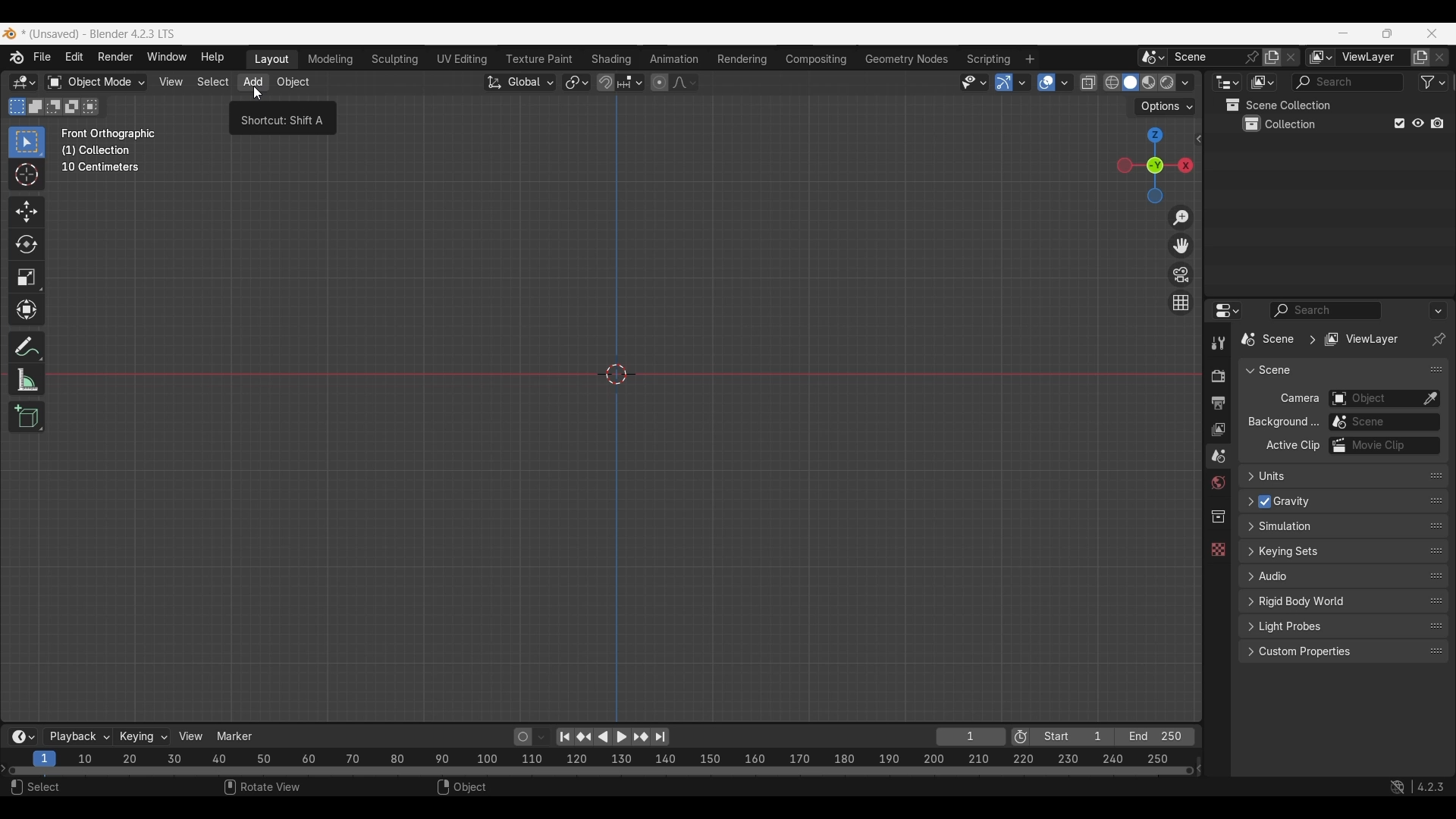  What do you see at coordinates (1299, 398) in the screenshot?
I see `Camera` at bounding box center [1299, 398].